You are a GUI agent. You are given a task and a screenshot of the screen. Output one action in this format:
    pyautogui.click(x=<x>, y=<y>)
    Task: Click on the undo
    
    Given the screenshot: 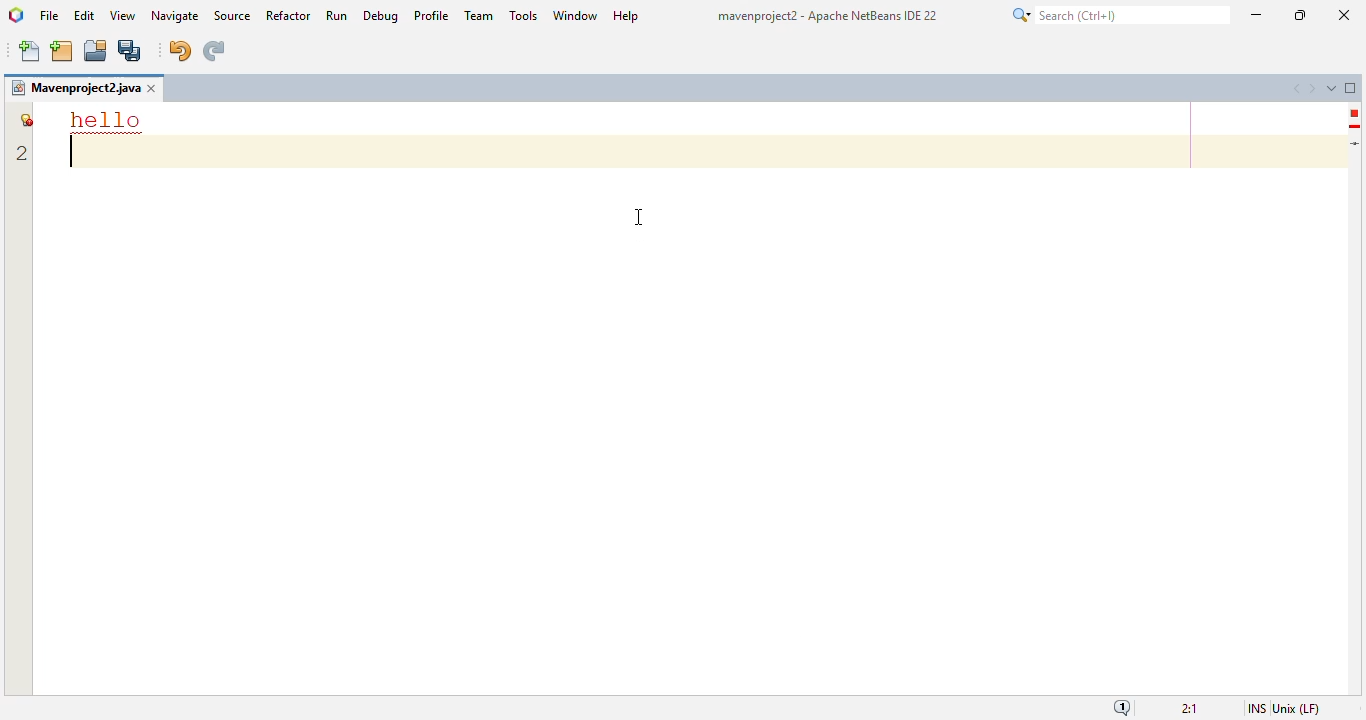 What is the action you would take?
    pyautogui.click(x=179, y=51)
    